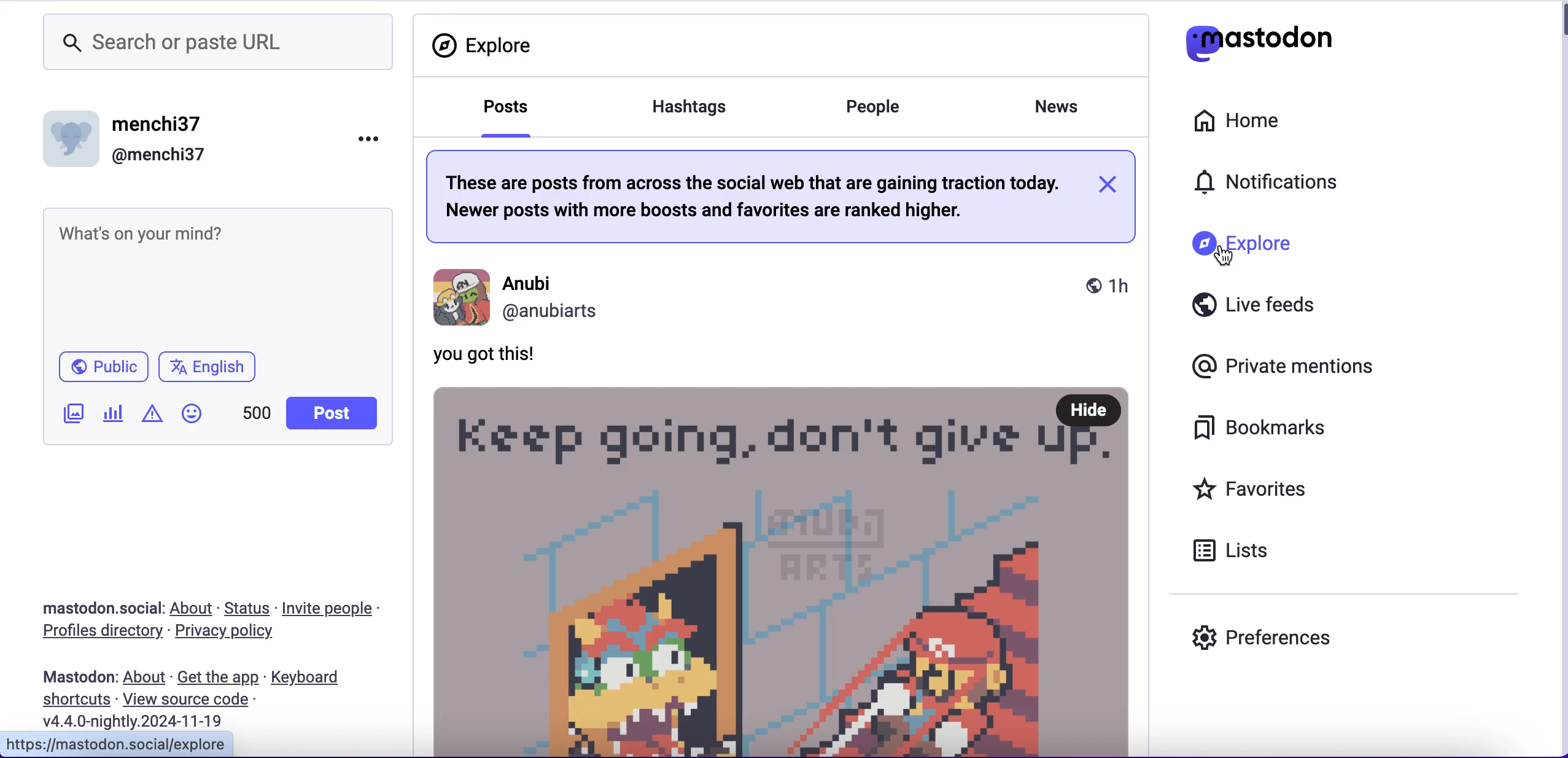 The image size is (1568, 758). Describe the element at coordinates (548, 283) in the screenshot. I see `Anubi` at that location.